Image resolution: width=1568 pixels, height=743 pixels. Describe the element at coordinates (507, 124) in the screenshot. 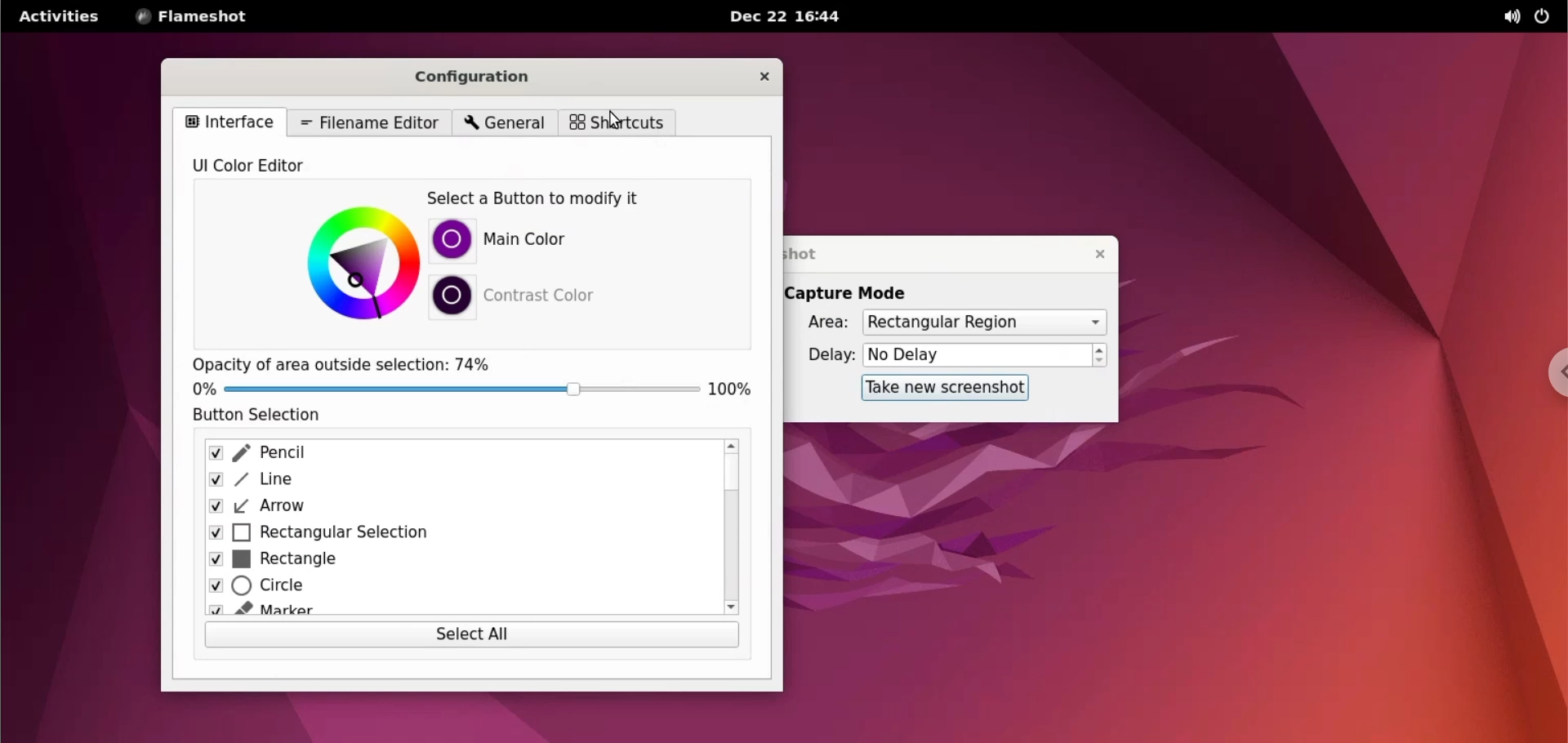

I see `general` at that location.